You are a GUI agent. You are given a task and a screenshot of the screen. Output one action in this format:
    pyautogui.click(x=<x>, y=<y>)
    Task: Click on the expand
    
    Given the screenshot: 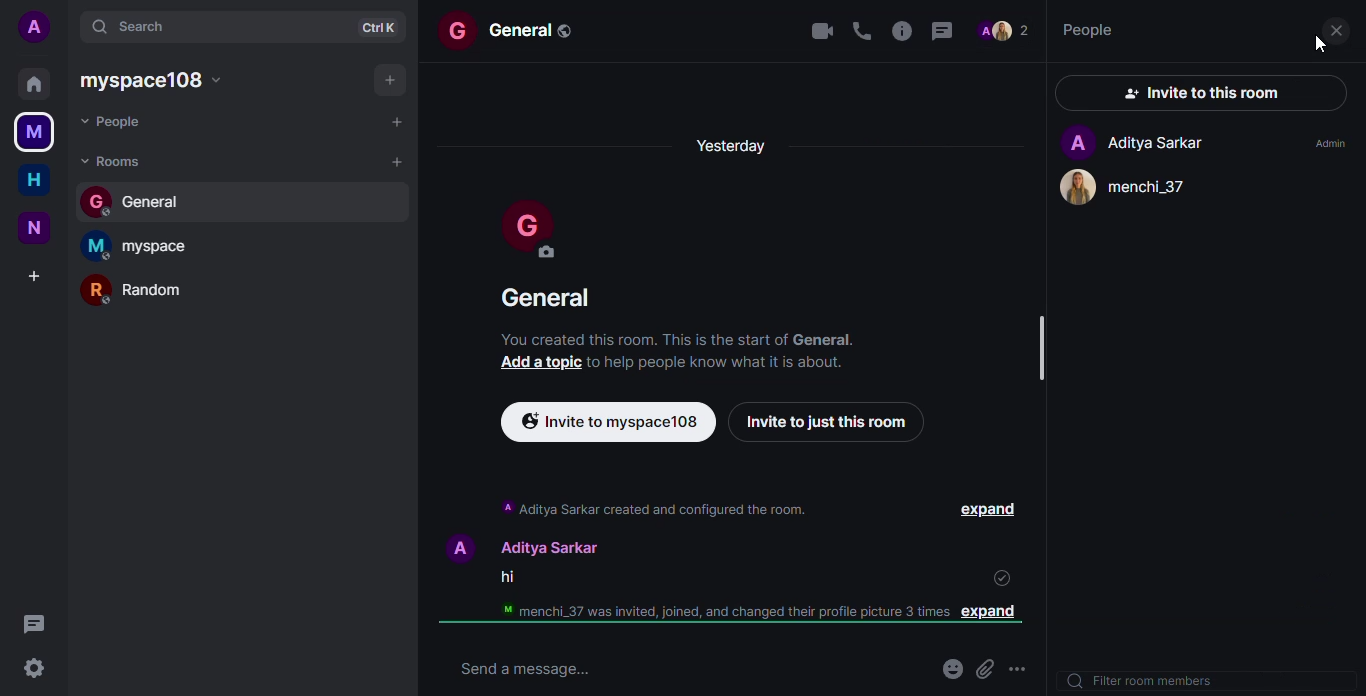 What is the action you would take?
    pyautogui.click(x=983, y=510)
    